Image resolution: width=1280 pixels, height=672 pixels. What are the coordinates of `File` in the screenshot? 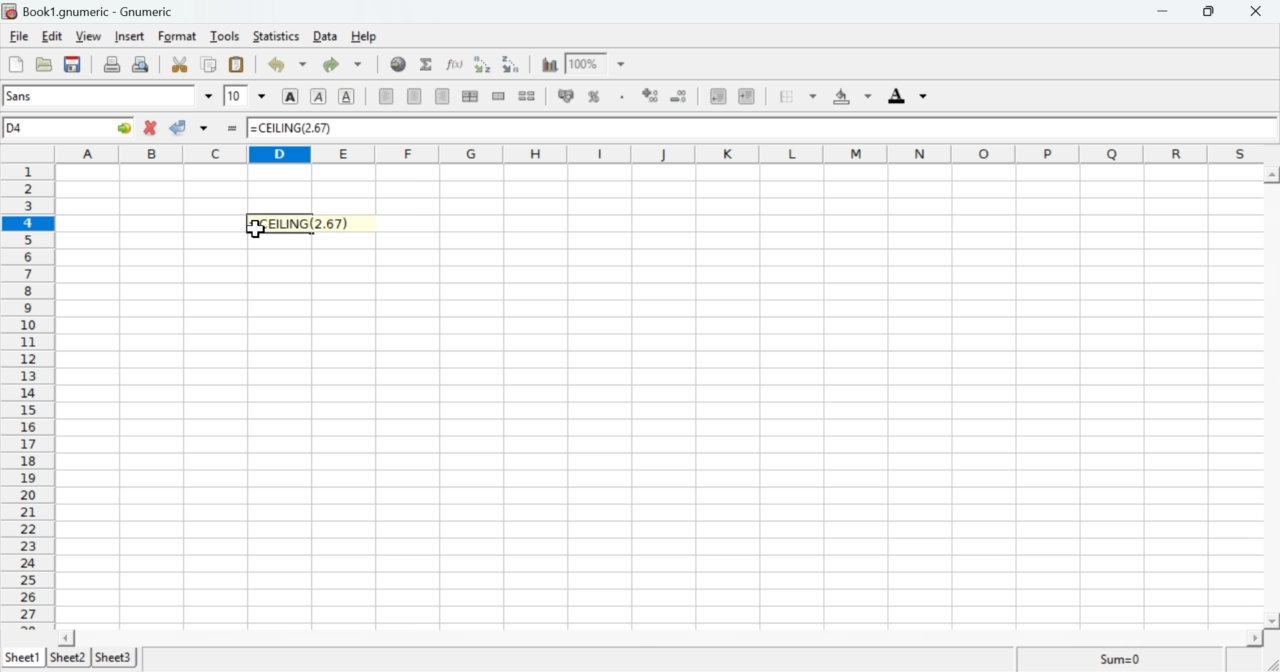 It's located at (19, 37).